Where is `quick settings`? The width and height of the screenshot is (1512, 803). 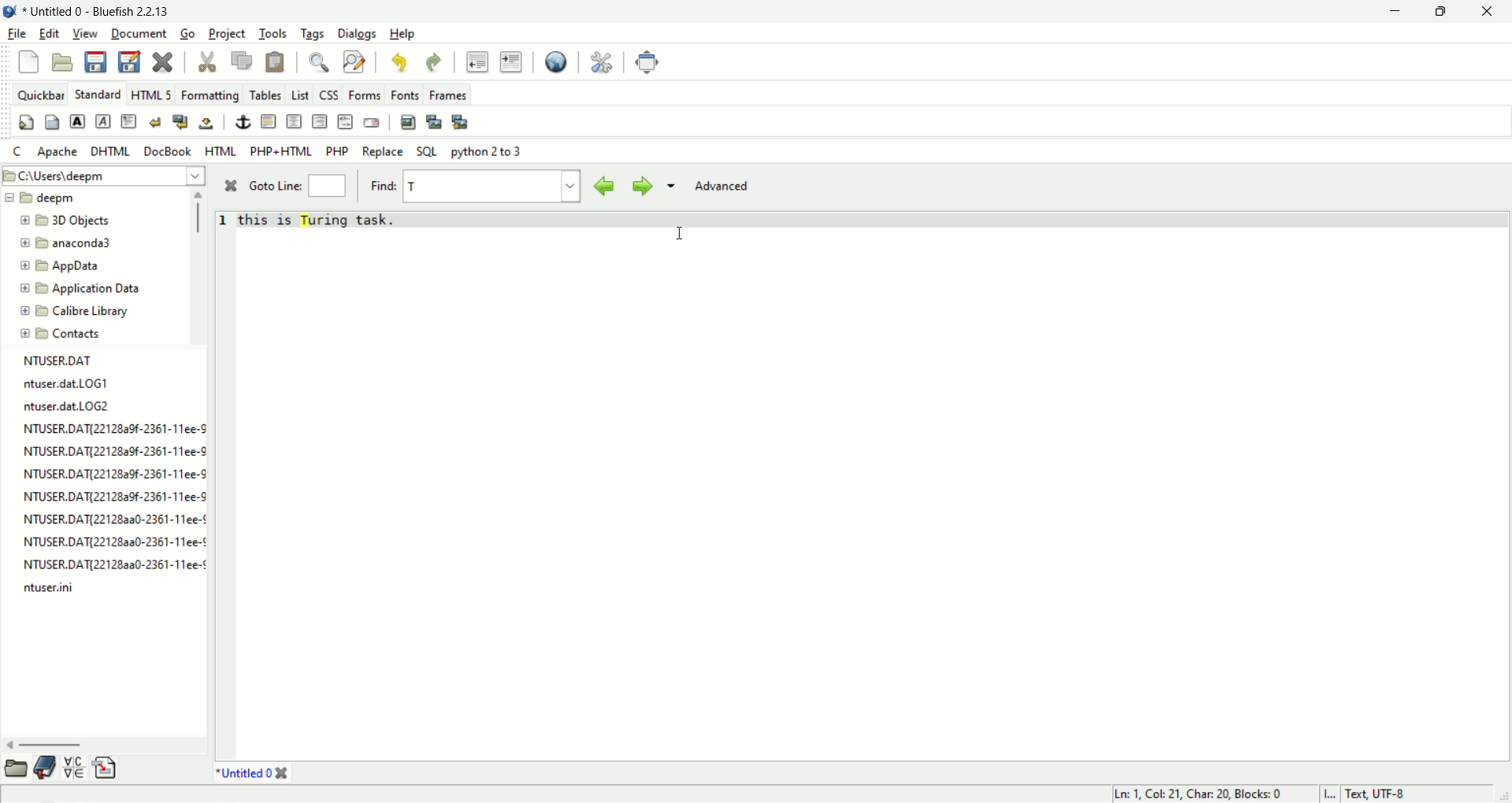
quick settings is located at coordinates (27, 124).